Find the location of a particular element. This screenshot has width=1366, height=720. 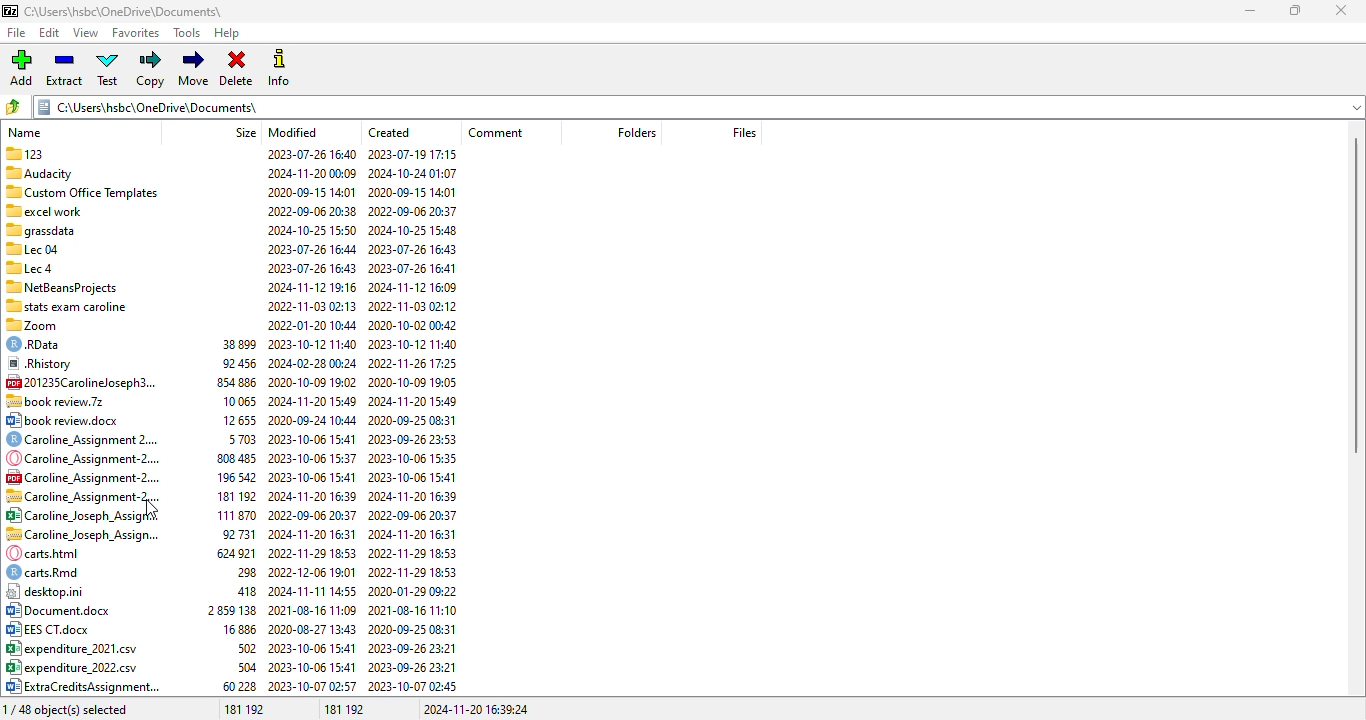

| ™1 Custom Office Templates 2020-09-15 14:01 2020-09-15 14:01 is located at coordinates (228, 191).